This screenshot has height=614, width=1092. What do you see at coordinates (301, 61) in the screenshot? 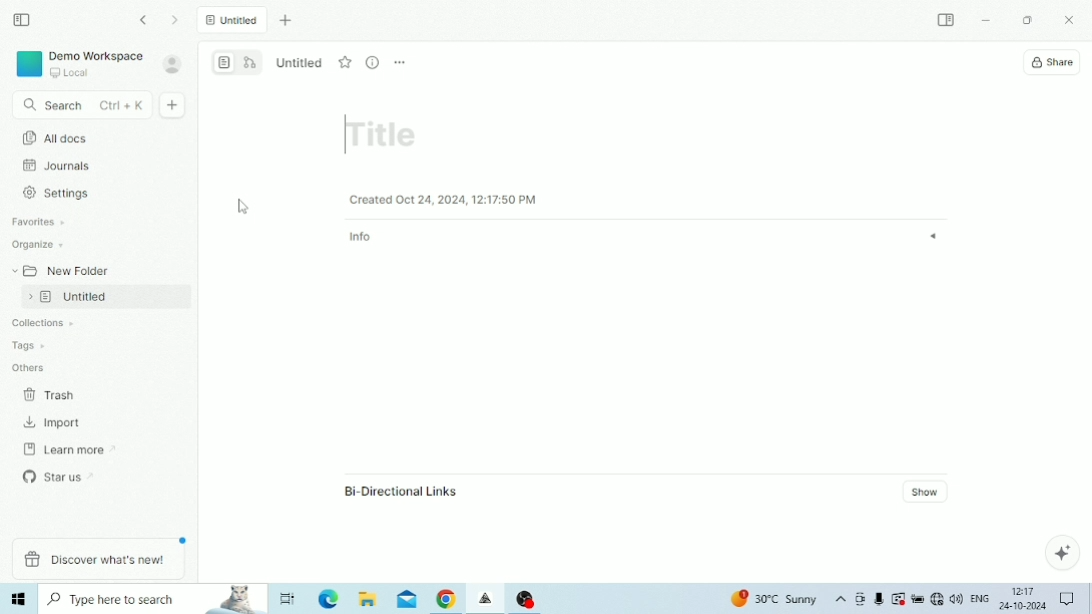
I see `Untitled` at bounding box center [301, 61].